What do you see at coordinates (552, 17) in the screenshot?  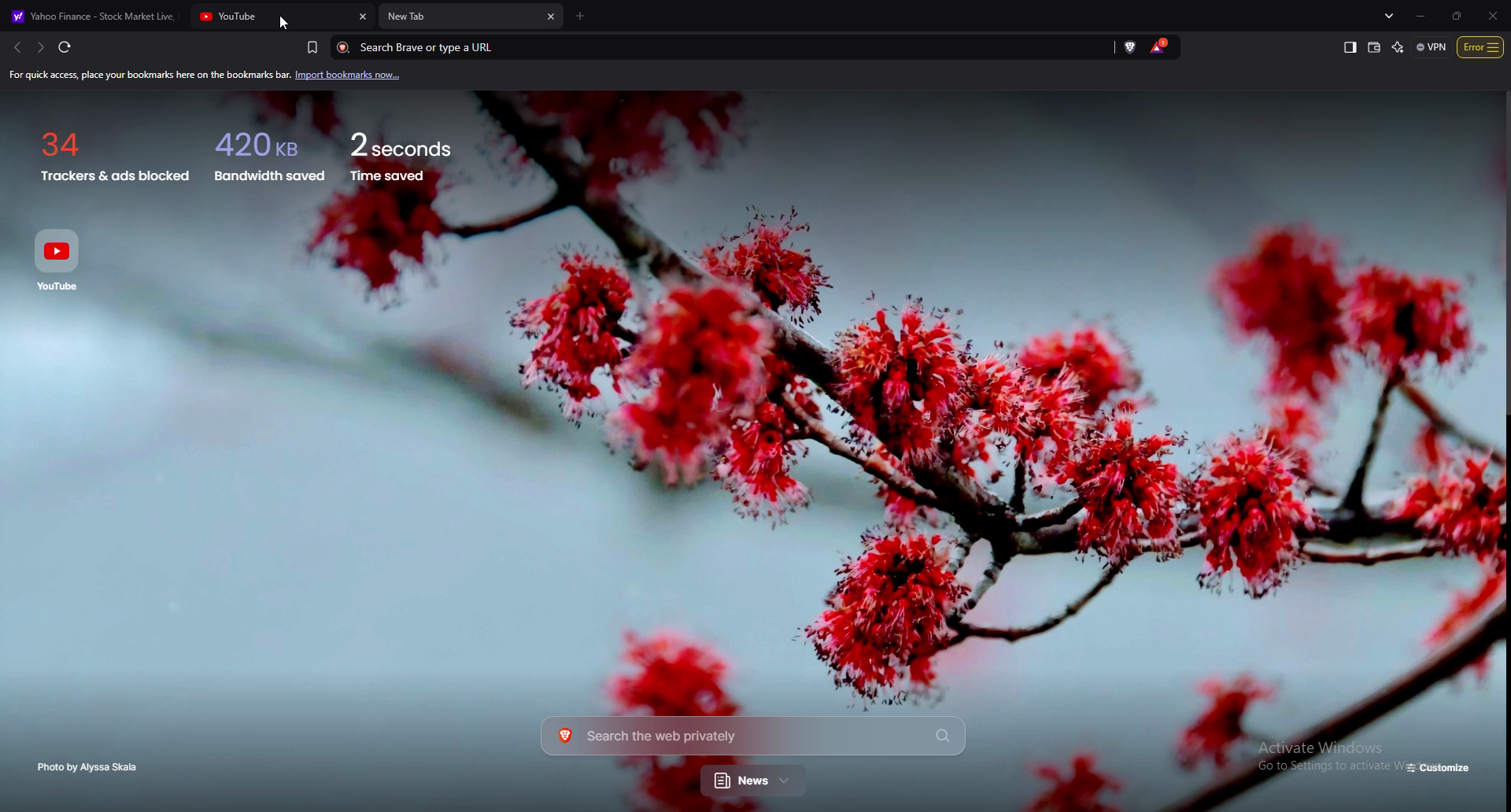 I see `close tab` at bounding box center [552, 17].